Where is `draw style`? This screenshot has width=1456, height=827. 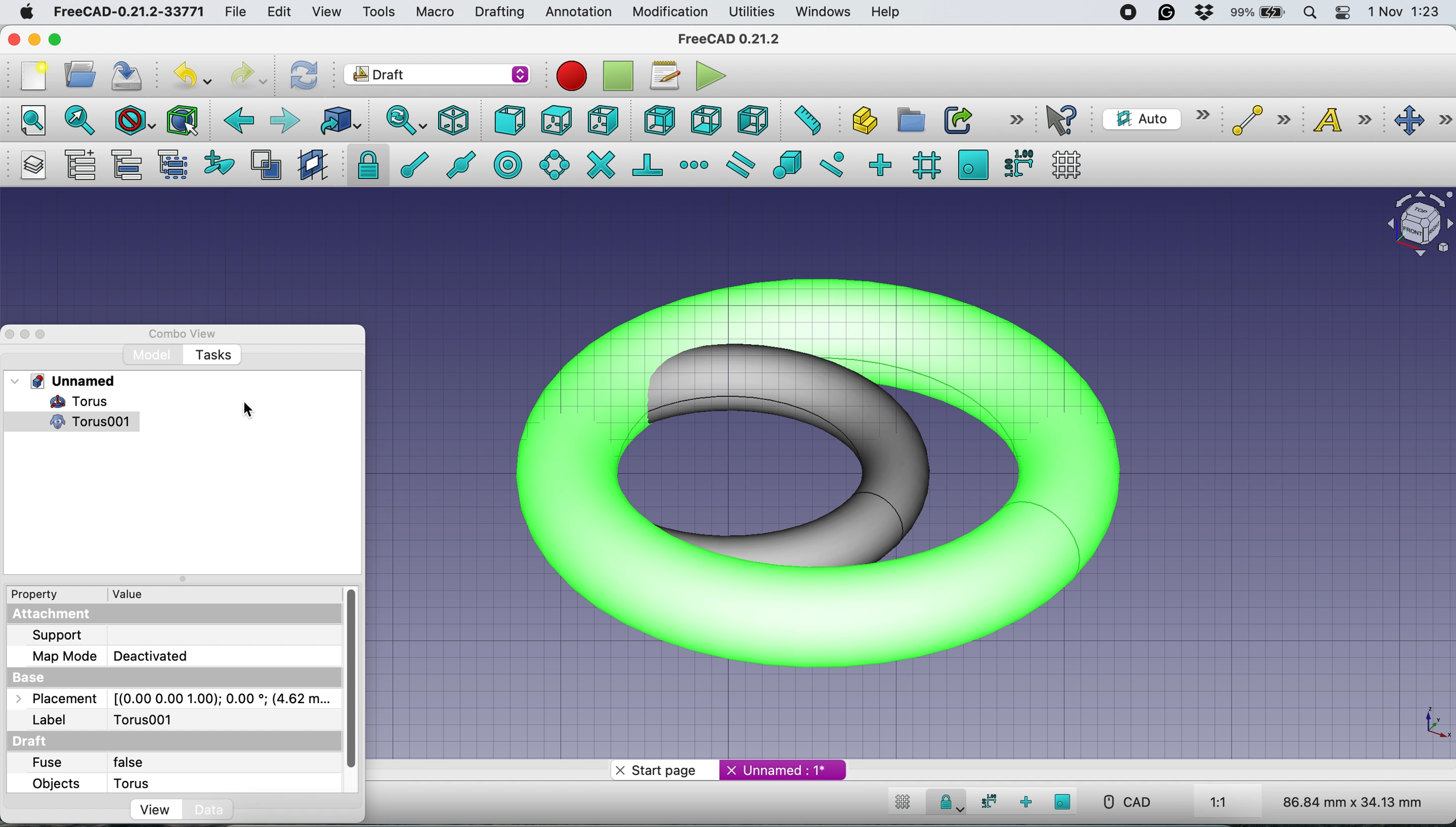 draw style is located at coordinates (132, 123).